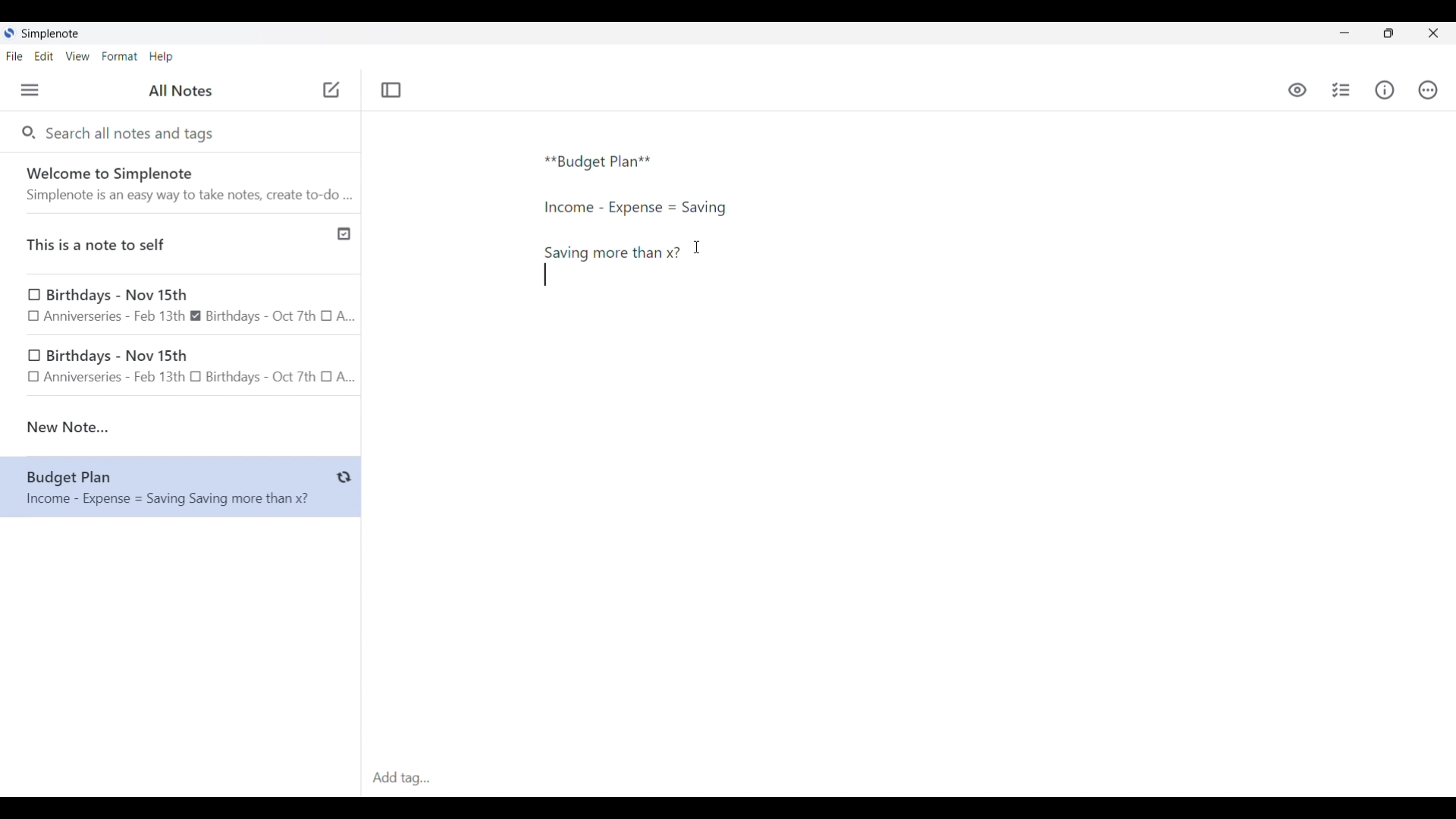  Describe the element at coordinates (52, 34) in the screenshot. I see `Software name` at that location.